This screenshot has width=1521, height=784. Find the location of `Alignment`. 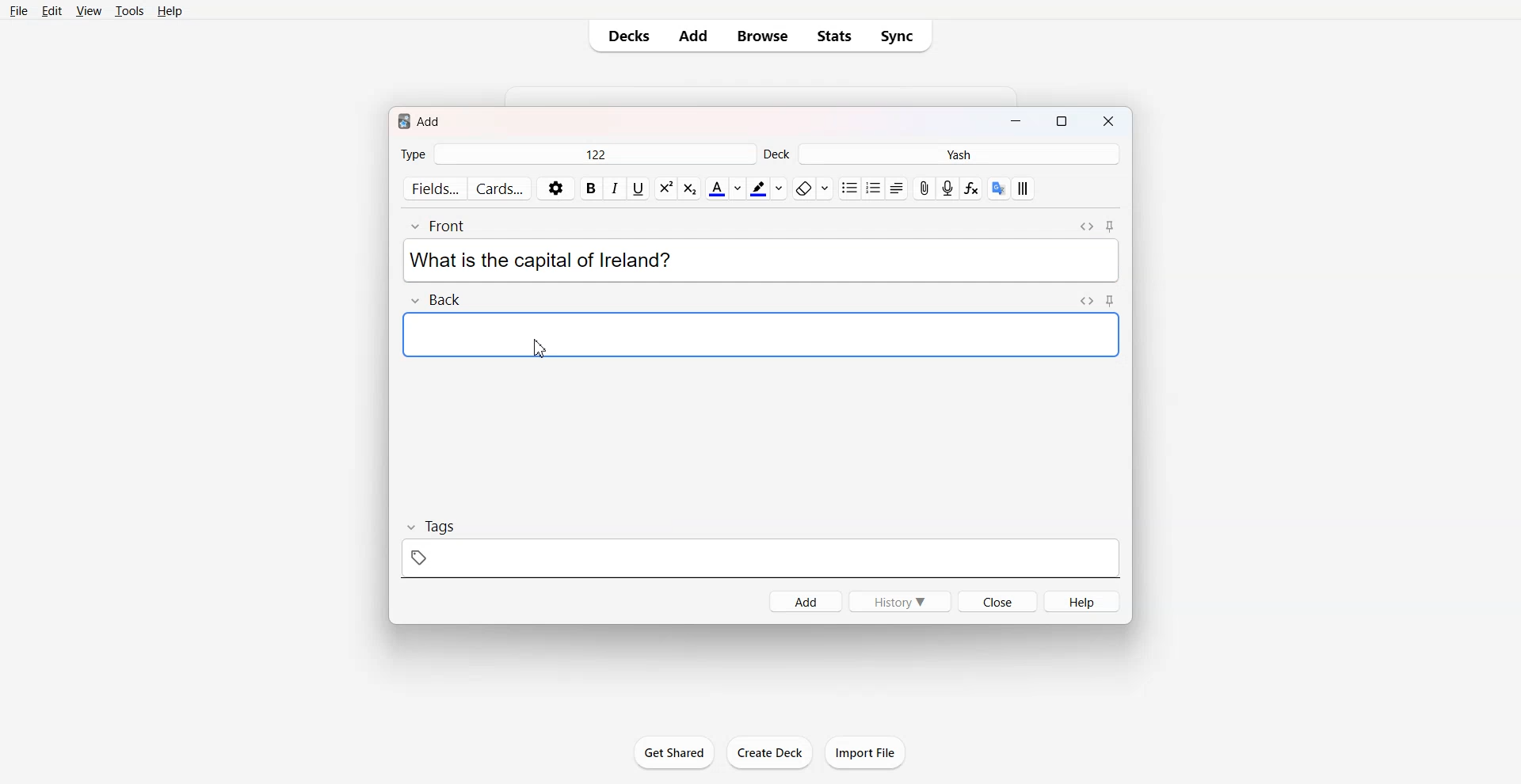

Alignment is located at coordinates (896, 188).